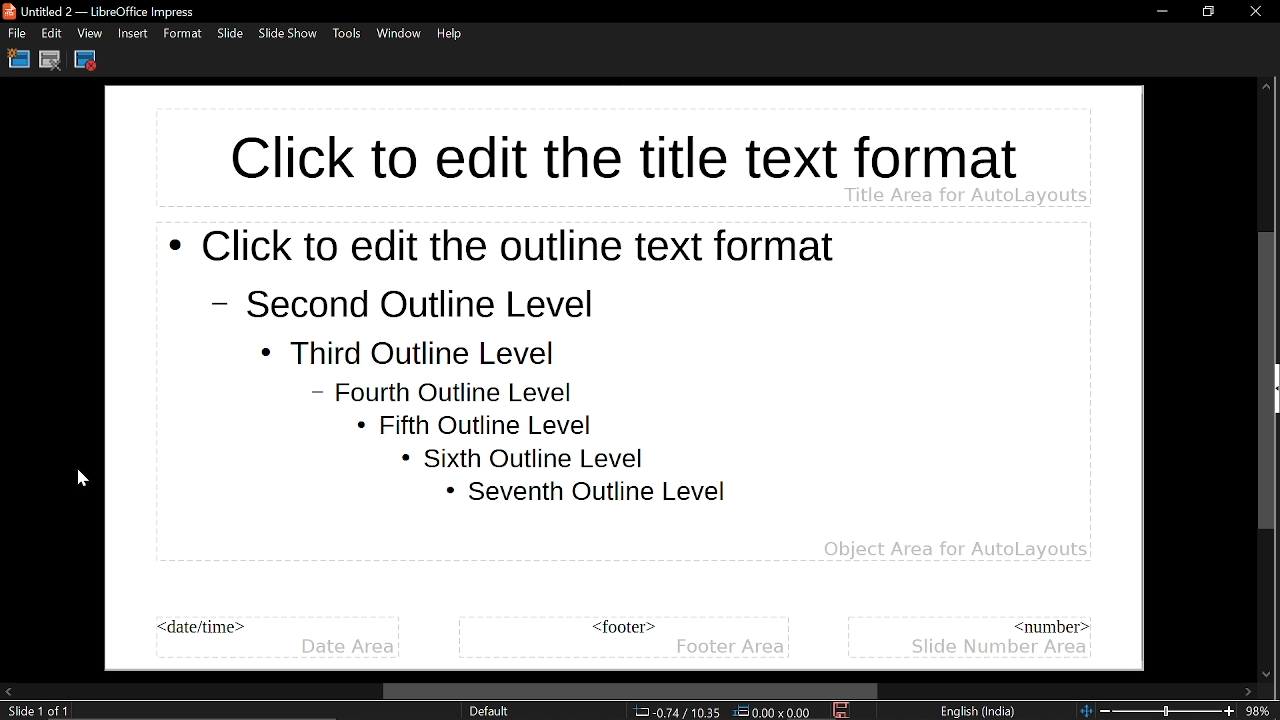 Image resolution: width=1280 pixels, height=720 pixels. Describe the element at coordinates (290, 35) in the screenshot. I see `Slide show` at that location.